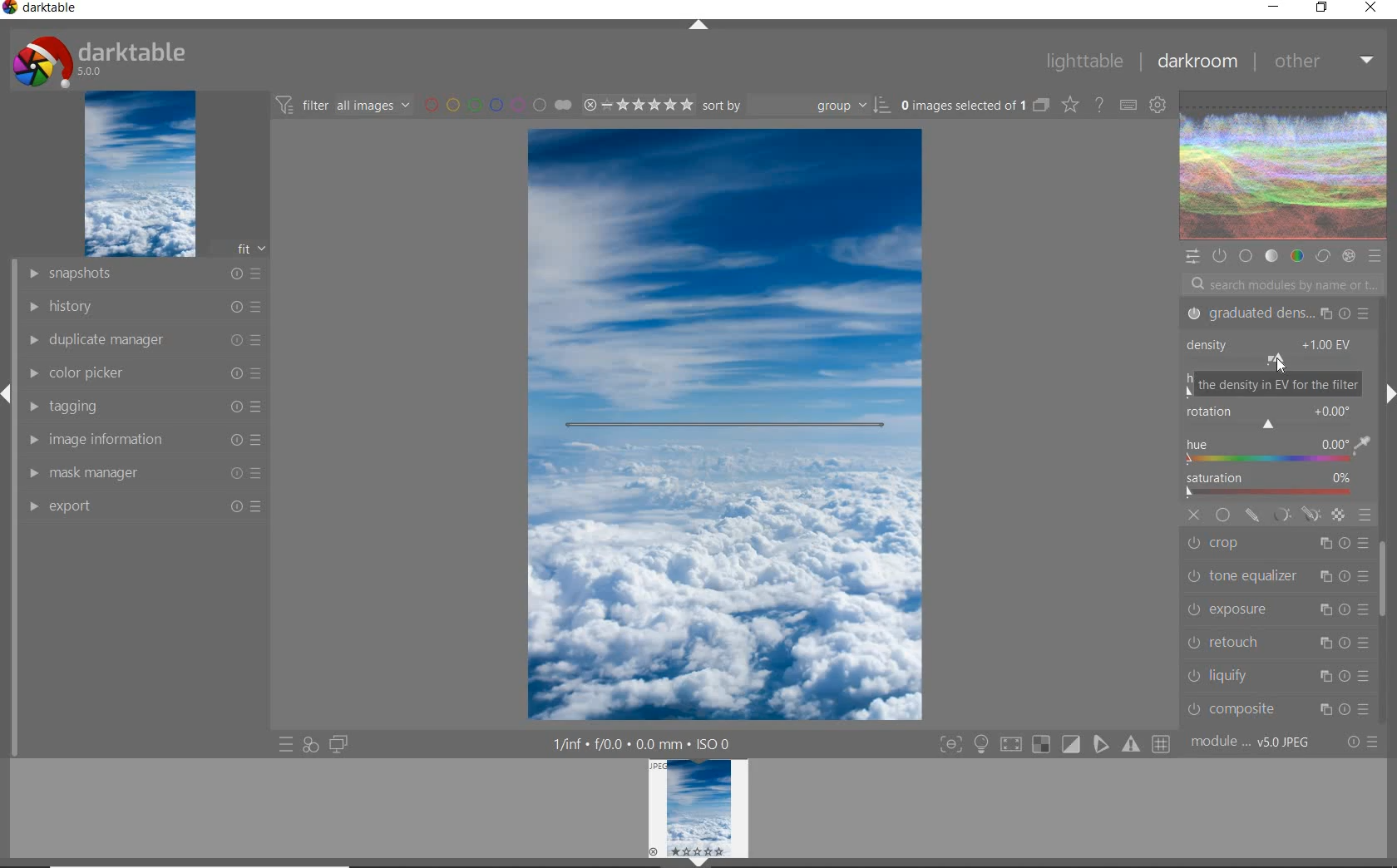 The image size is (1397, 868). What do you see at coordinates (1196, 62) in the screenshot?
I see `DARKROOM` at bounding box center [1196, 62].